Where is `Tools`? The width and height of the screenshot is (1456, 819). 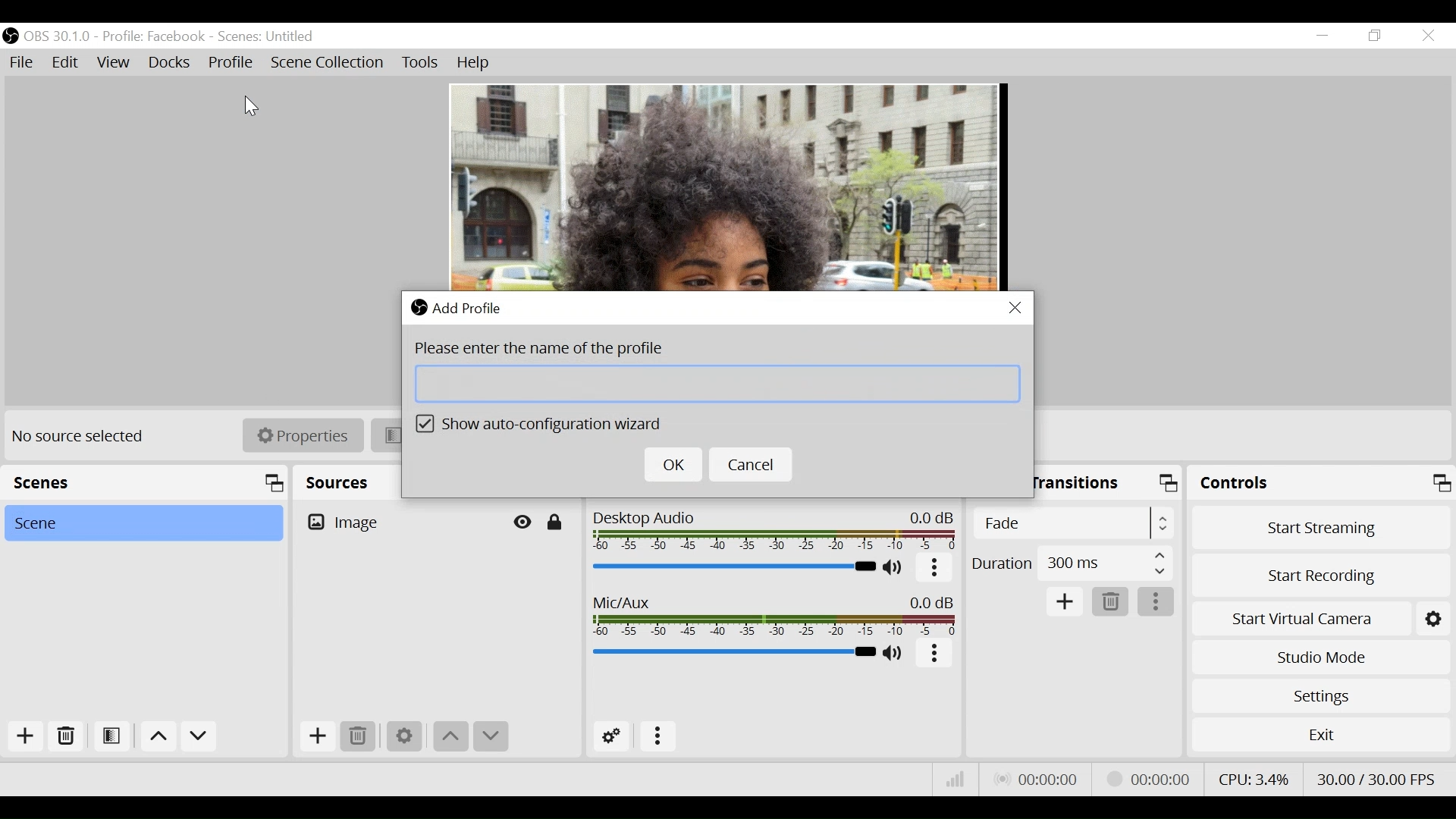
Tools is located at coordinates (420, 64).